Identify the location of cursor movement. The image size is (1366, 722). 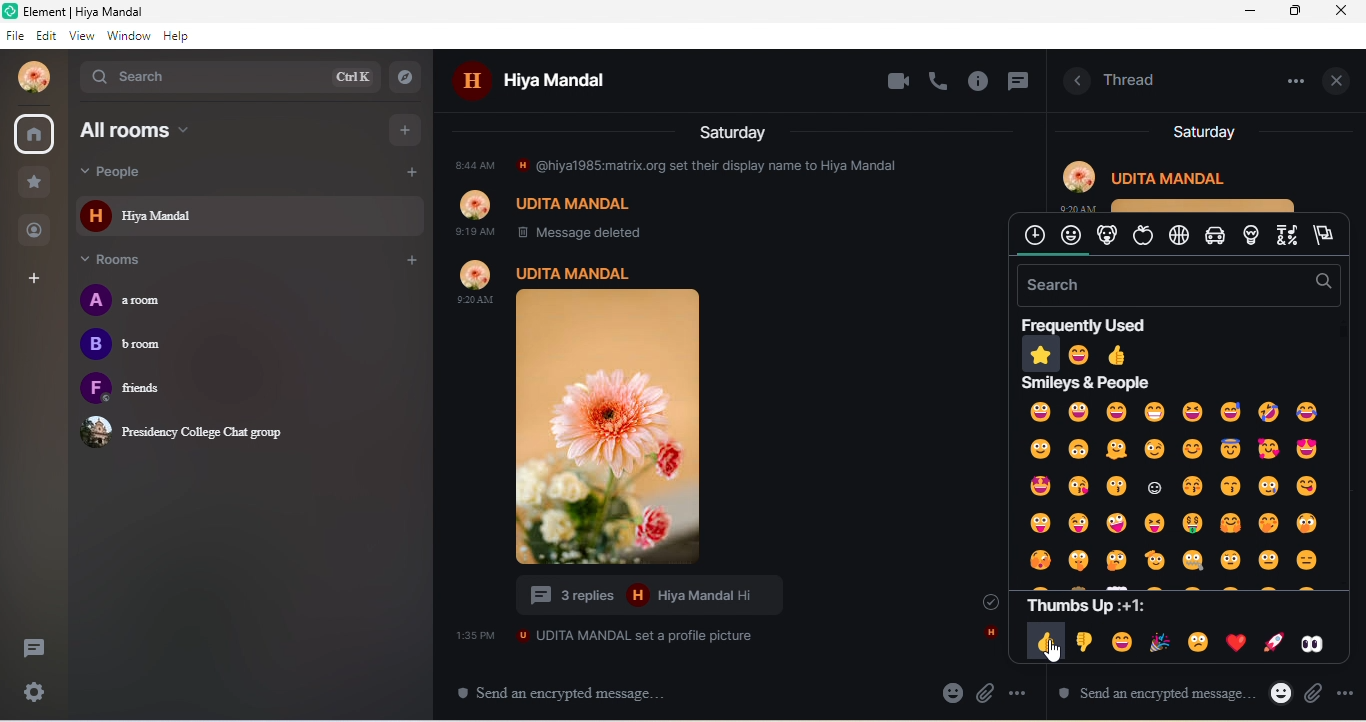
(1054, 653).